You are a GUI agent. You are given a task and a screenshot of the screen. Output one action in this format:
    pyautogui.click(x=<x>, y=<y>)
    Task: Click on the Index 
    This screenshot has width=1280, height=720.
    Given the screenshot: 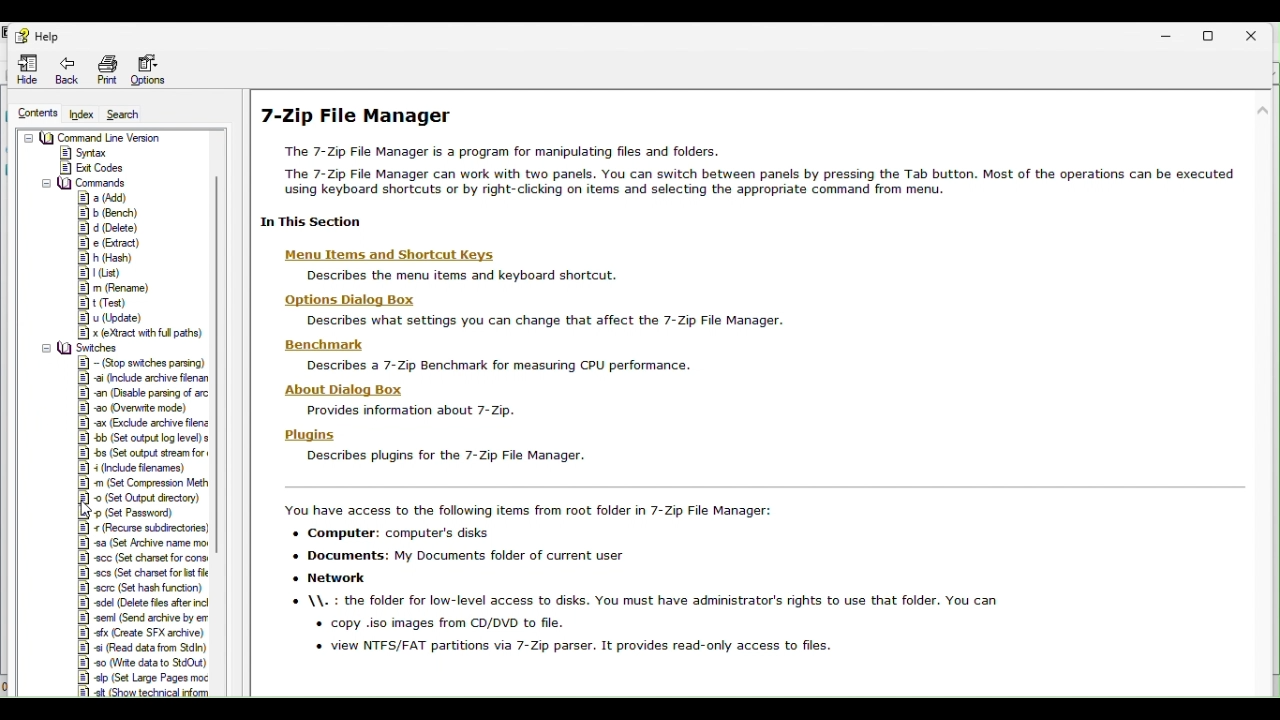 What is the action you would take?
    pyautogui.click(x=83, y=114)
    